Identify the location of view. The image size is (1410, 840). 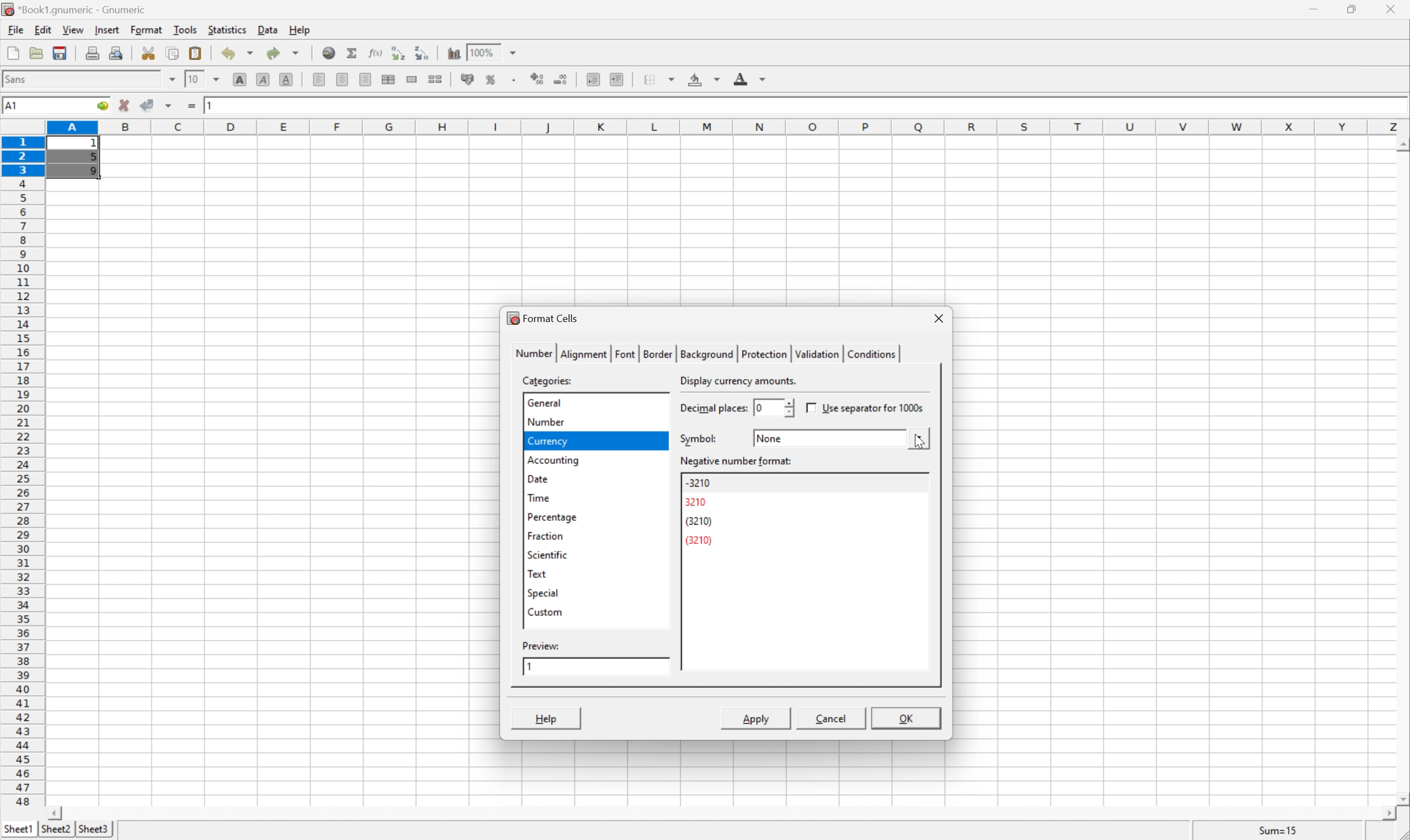
(74, 29).